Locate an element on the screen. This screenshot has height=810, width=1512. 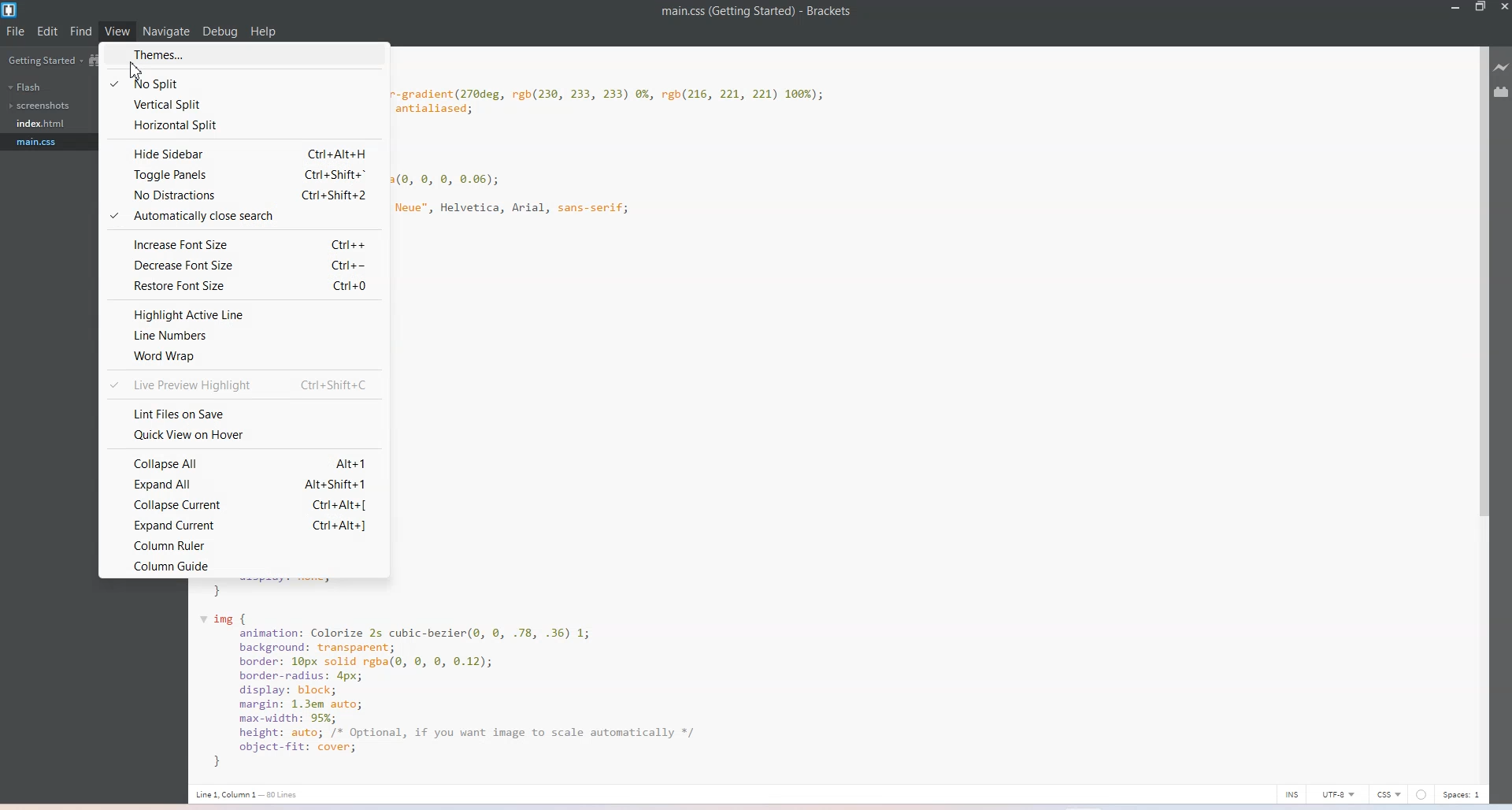
Horizontal split is located at coordinates (246, 126).